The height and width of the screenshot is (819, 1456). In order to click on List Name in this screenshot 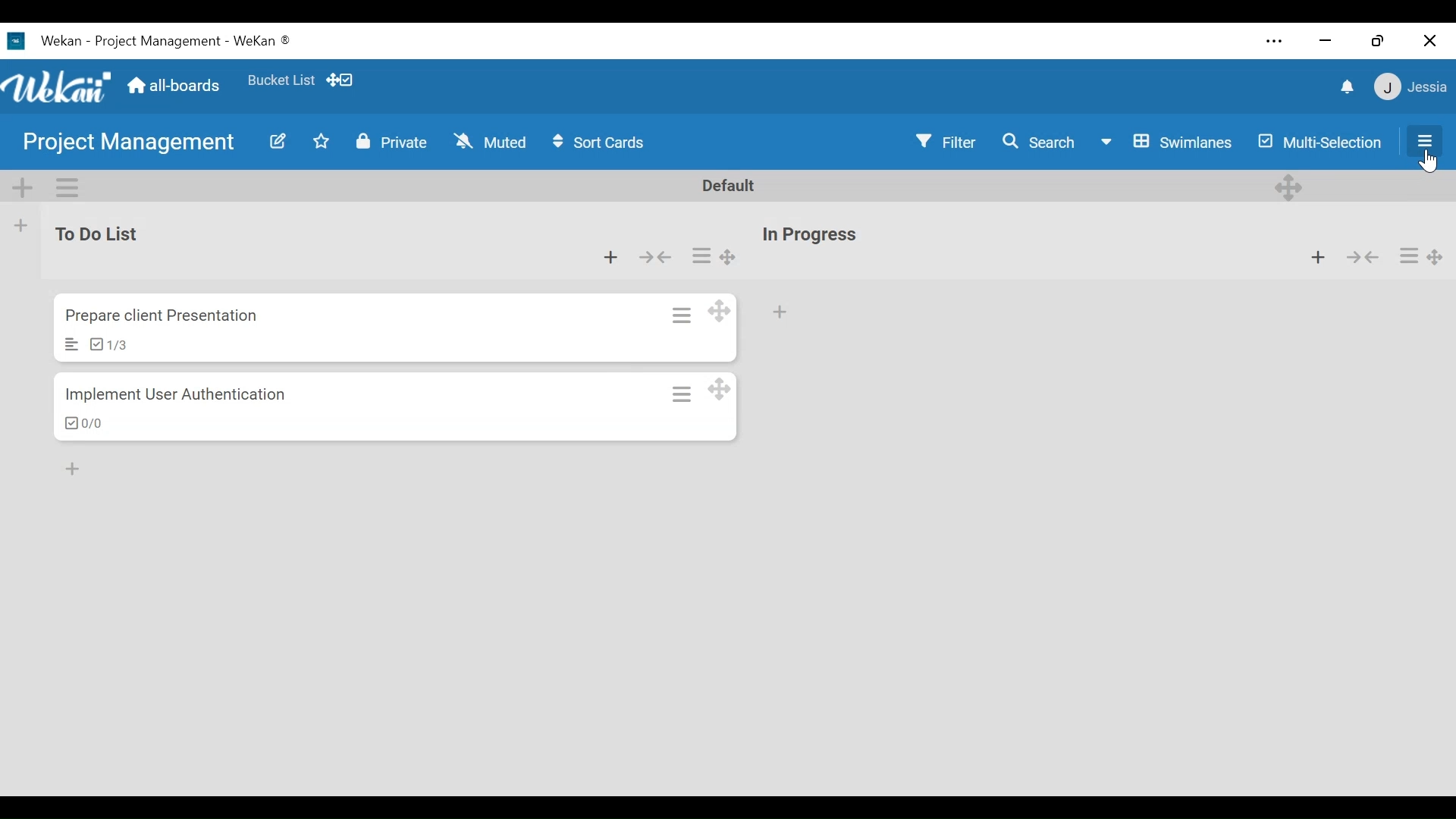, I will do `click(811, 235)`.